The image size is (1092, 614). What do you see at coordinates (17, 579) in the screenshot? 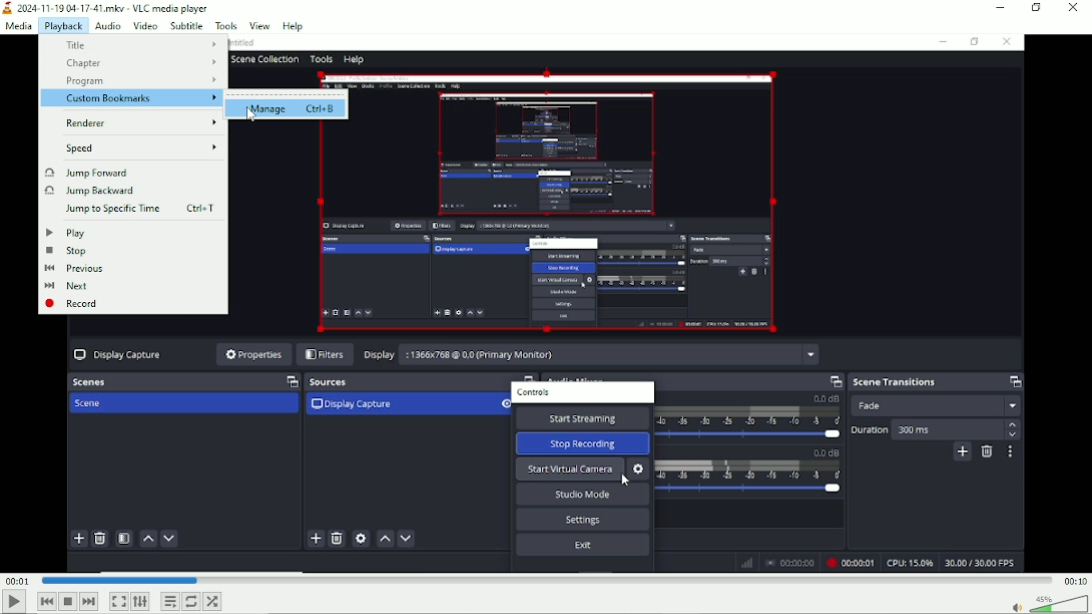
I see `00:01` at bounding box center [17, 579].